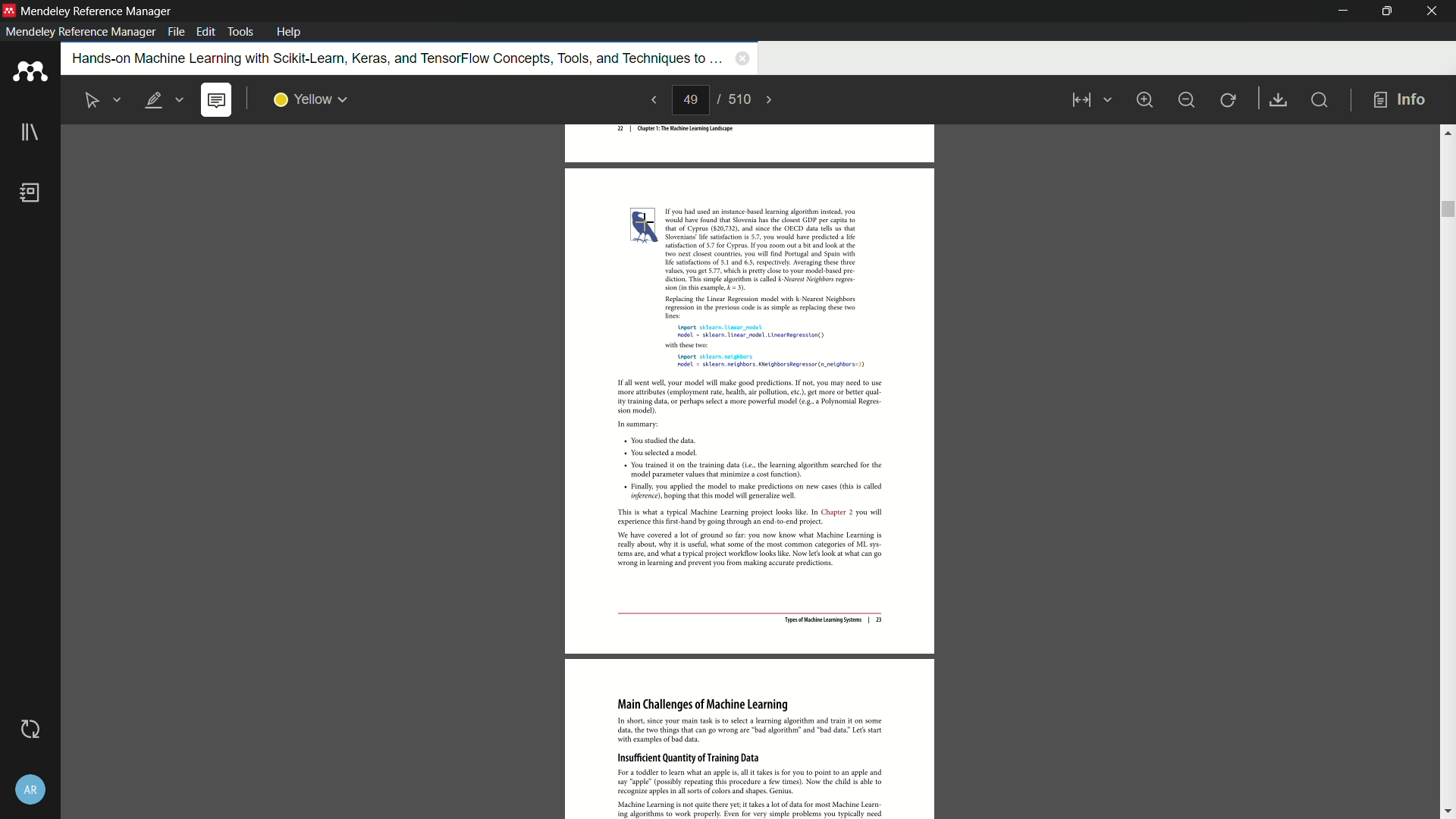 This screenshot has width=1456, height=819. What do you see at coordinates (9, 11) in the screenshot?
I see `app icon` at bounding box center [9, 11].